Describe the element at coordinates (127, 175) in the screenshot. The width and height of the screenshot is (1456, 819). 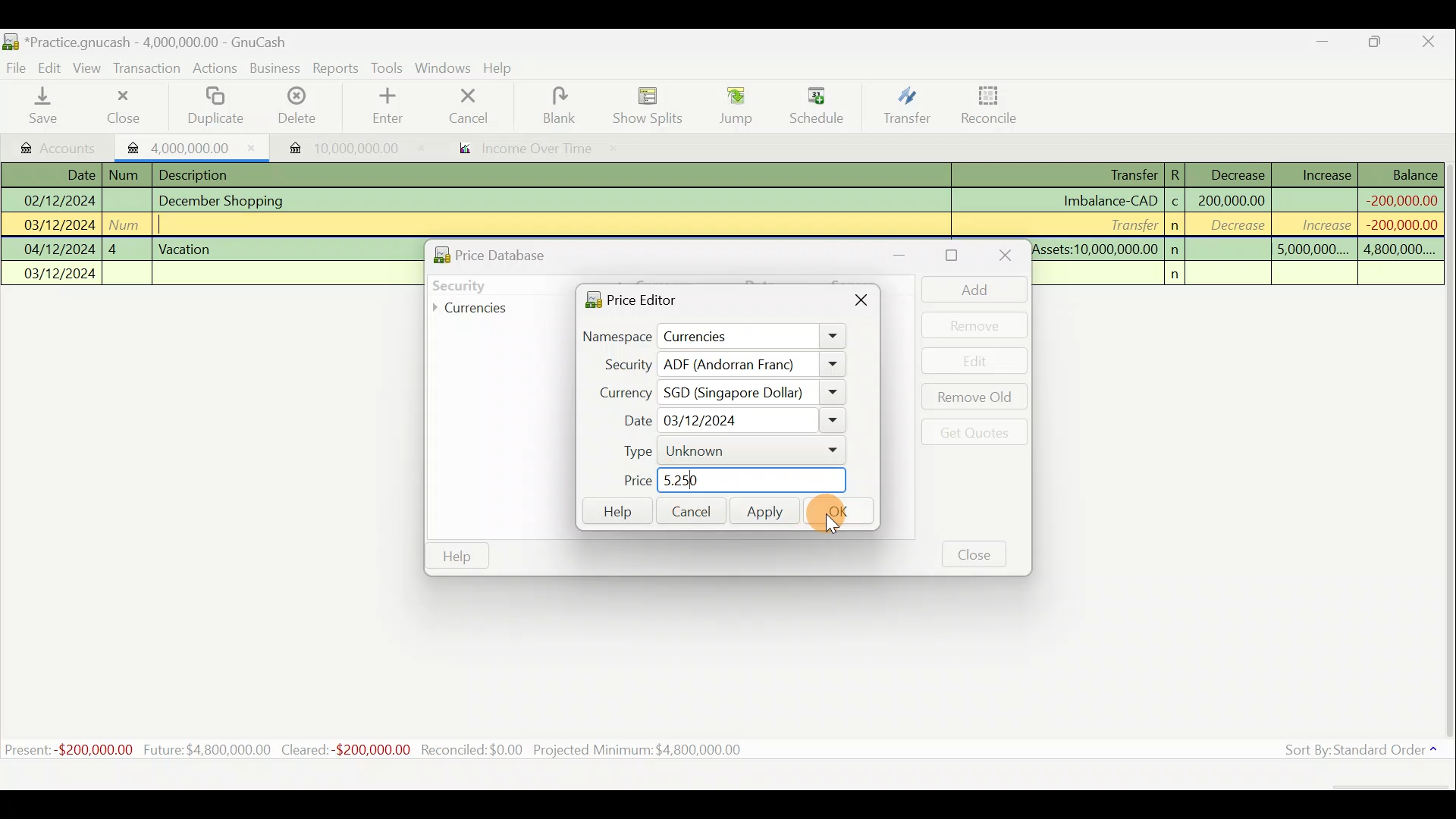
I see `num` at that location.